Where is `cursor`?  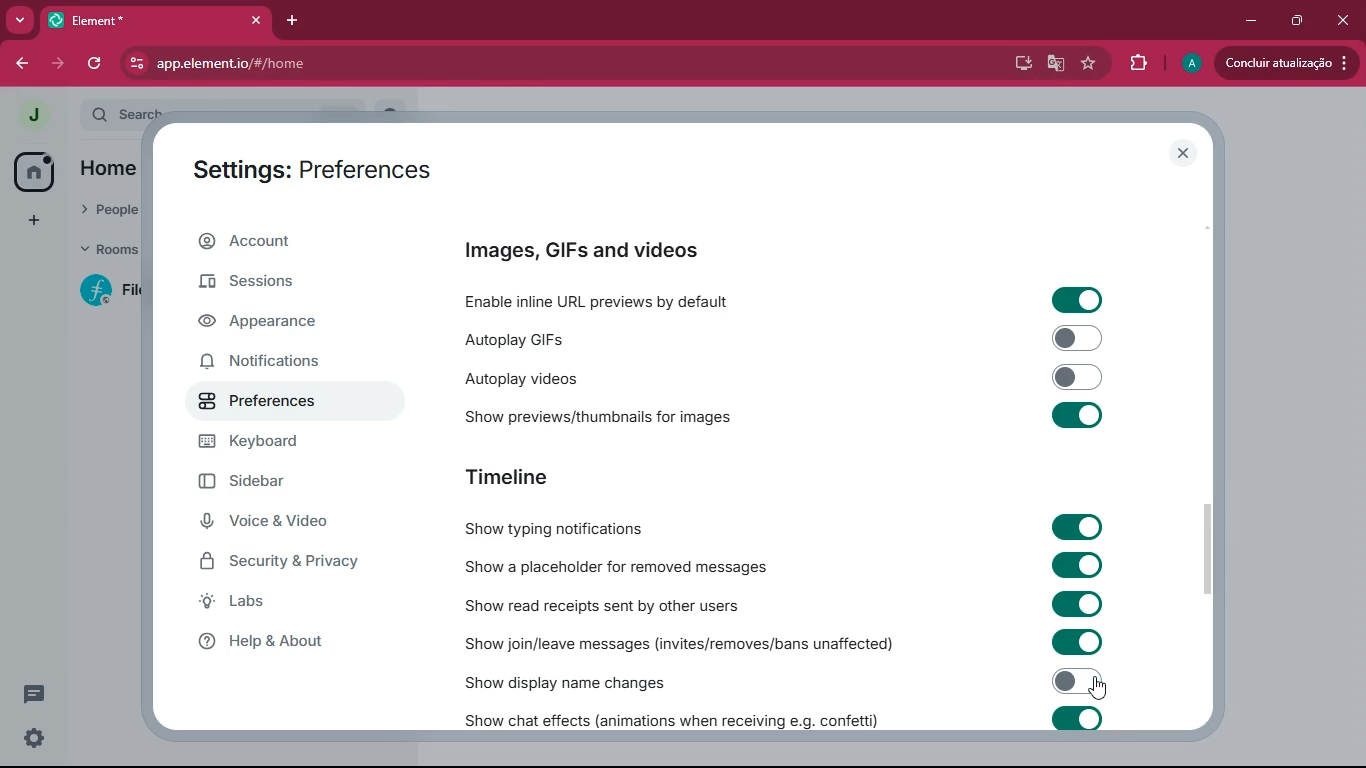 cursor is located at coordinates (1096, 689).